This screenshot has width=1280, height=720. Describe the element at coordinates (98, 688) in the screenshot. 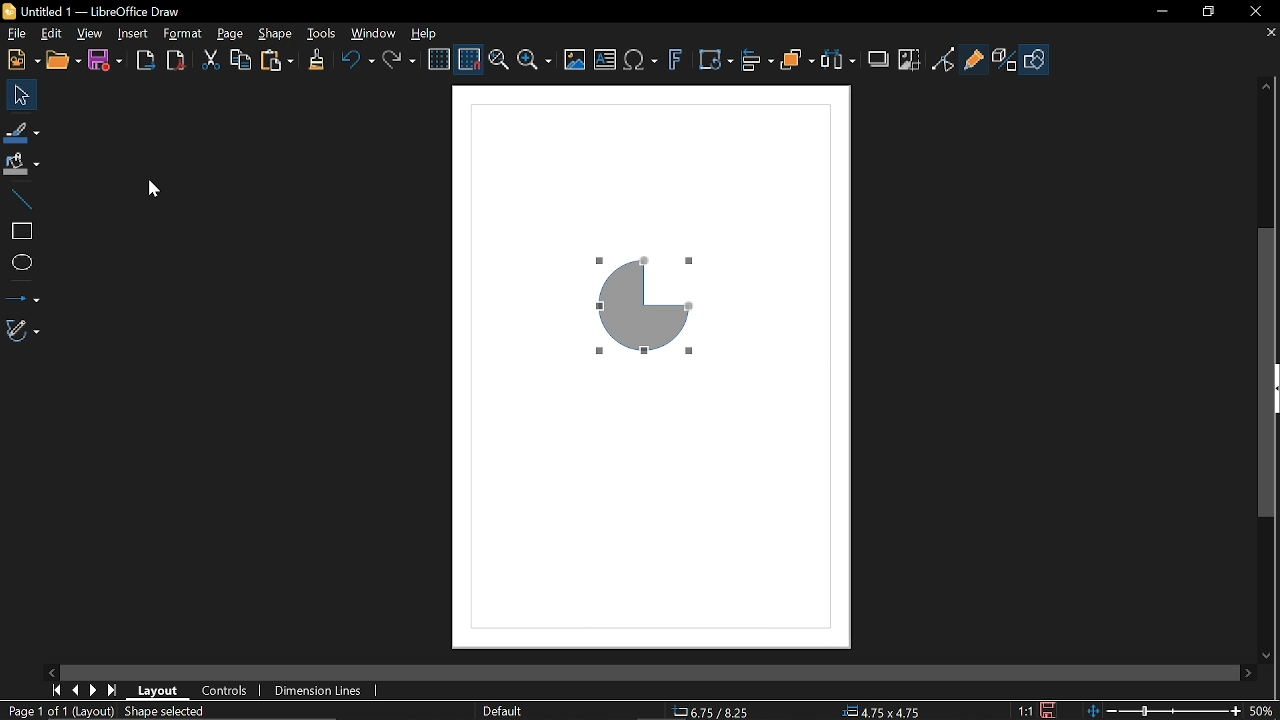

I see `` at that location.